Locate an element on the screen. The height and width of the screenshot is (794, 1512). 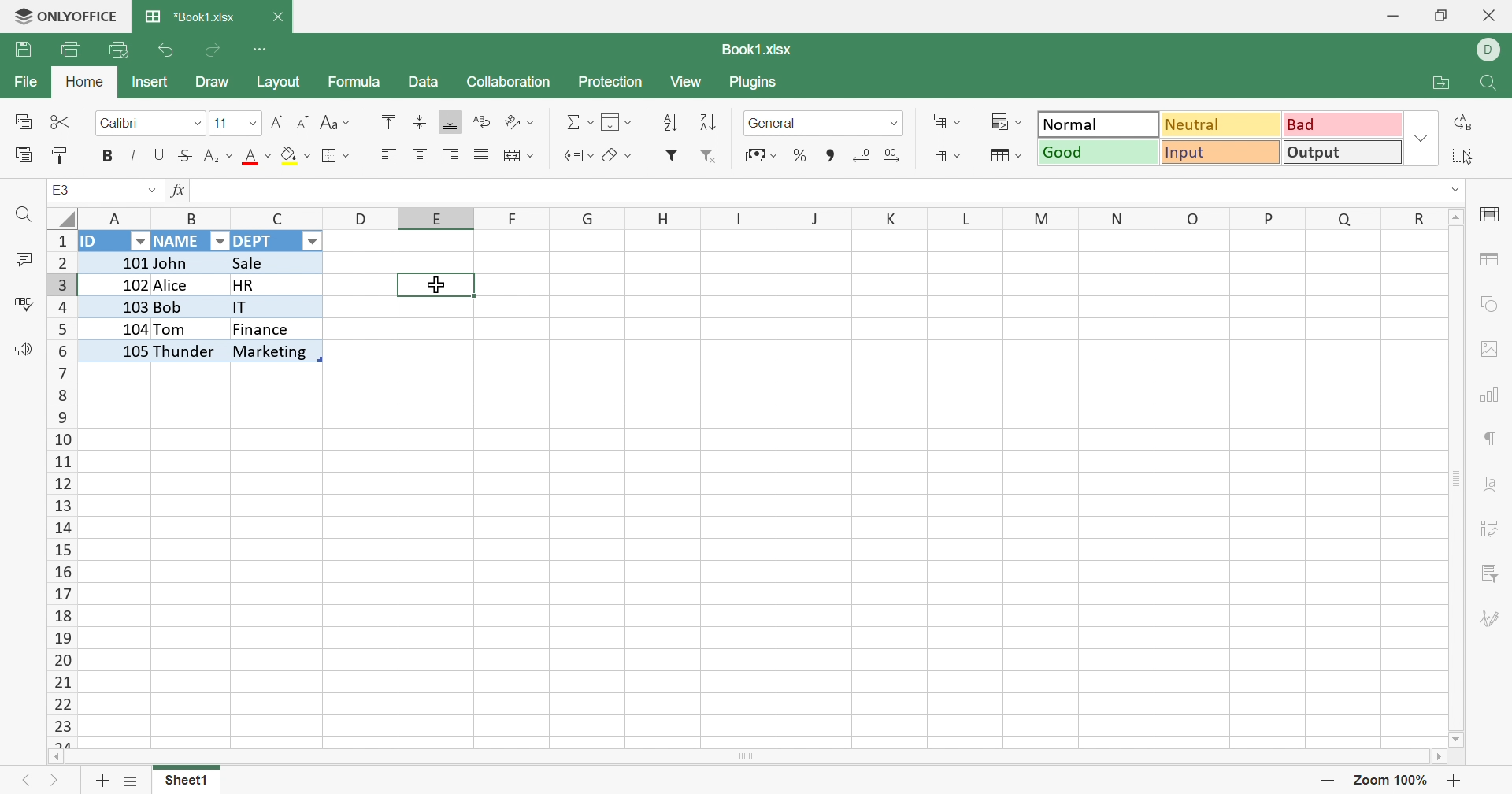
Slicer settings is located at coordinates (1486, 573).